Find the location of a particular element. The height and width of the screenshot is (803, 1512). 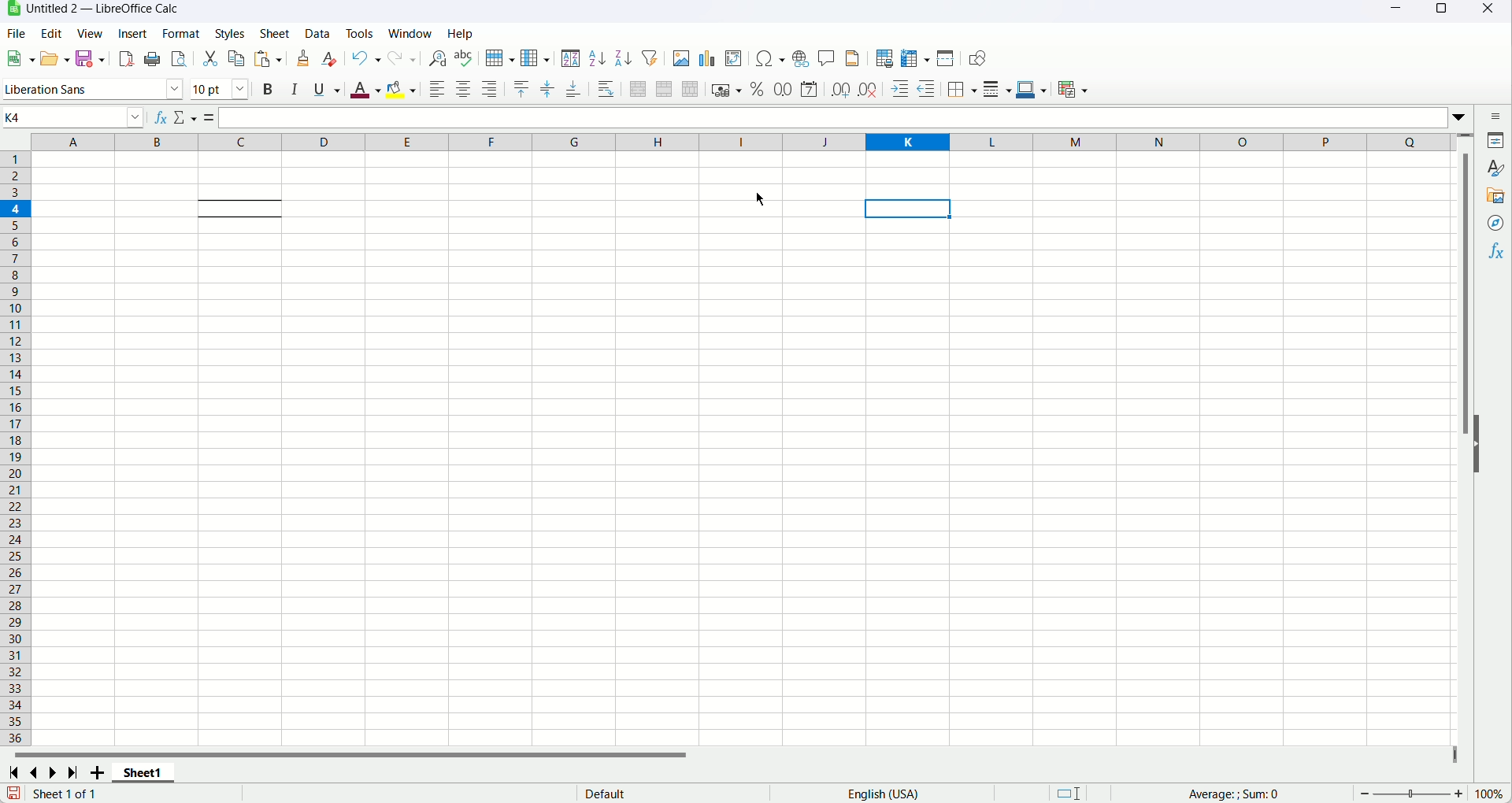

Column is located at coordinates (535, 58).